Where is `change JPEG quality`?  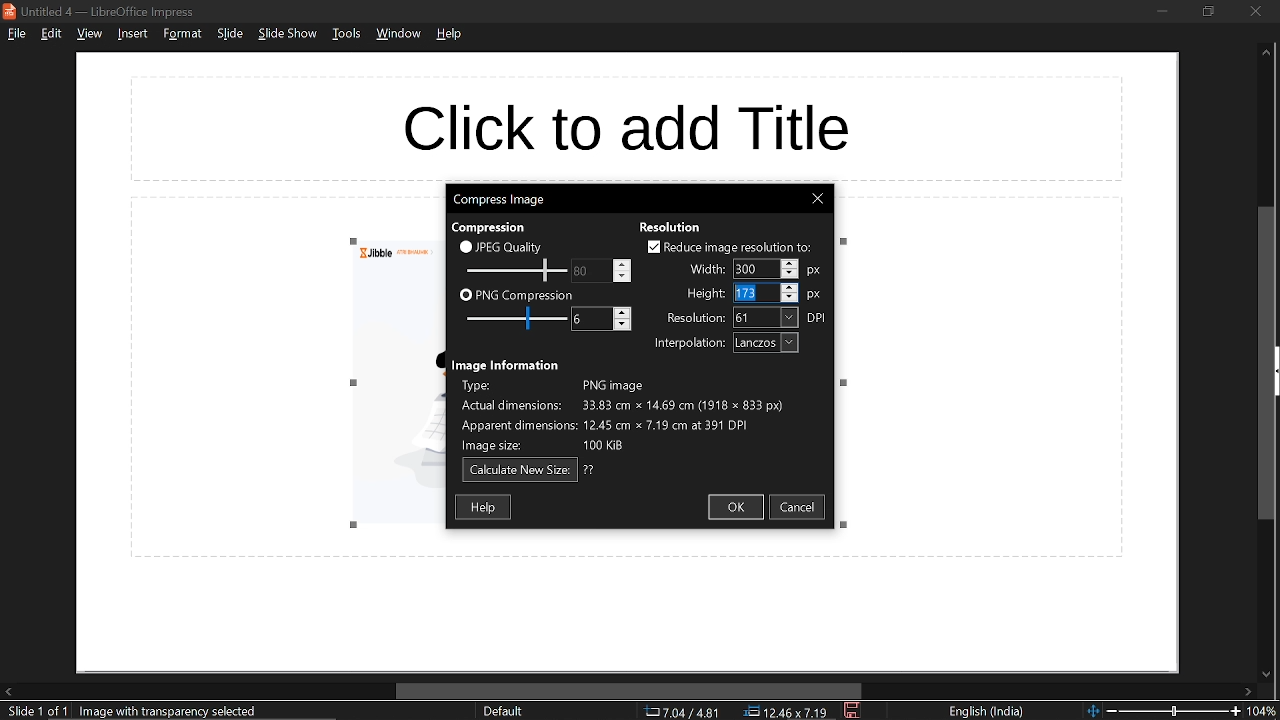
change JPEG quality is located at coordinates (582, 271).